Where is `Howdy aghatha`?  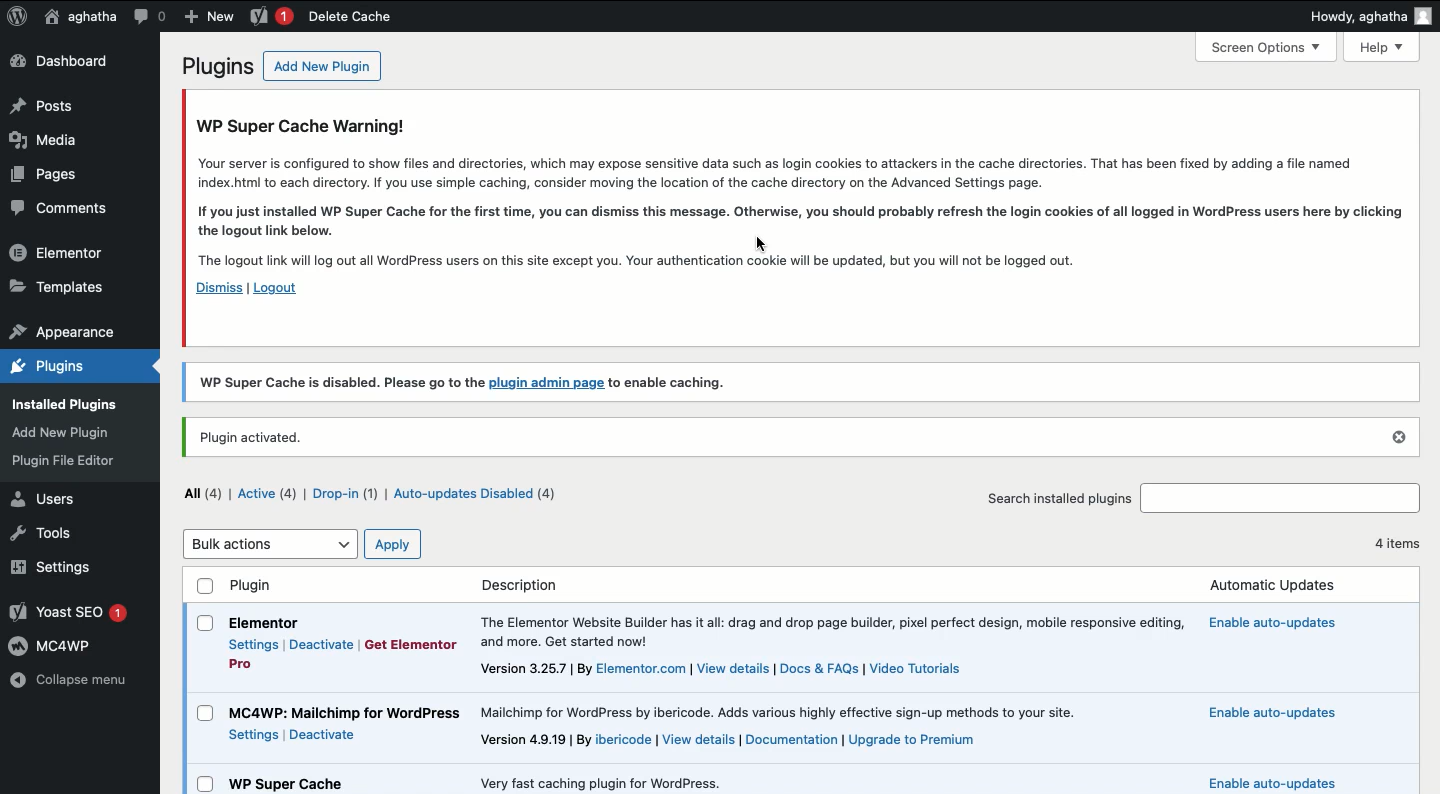
Howdy aghatha is located at coordinates (1364, 14).